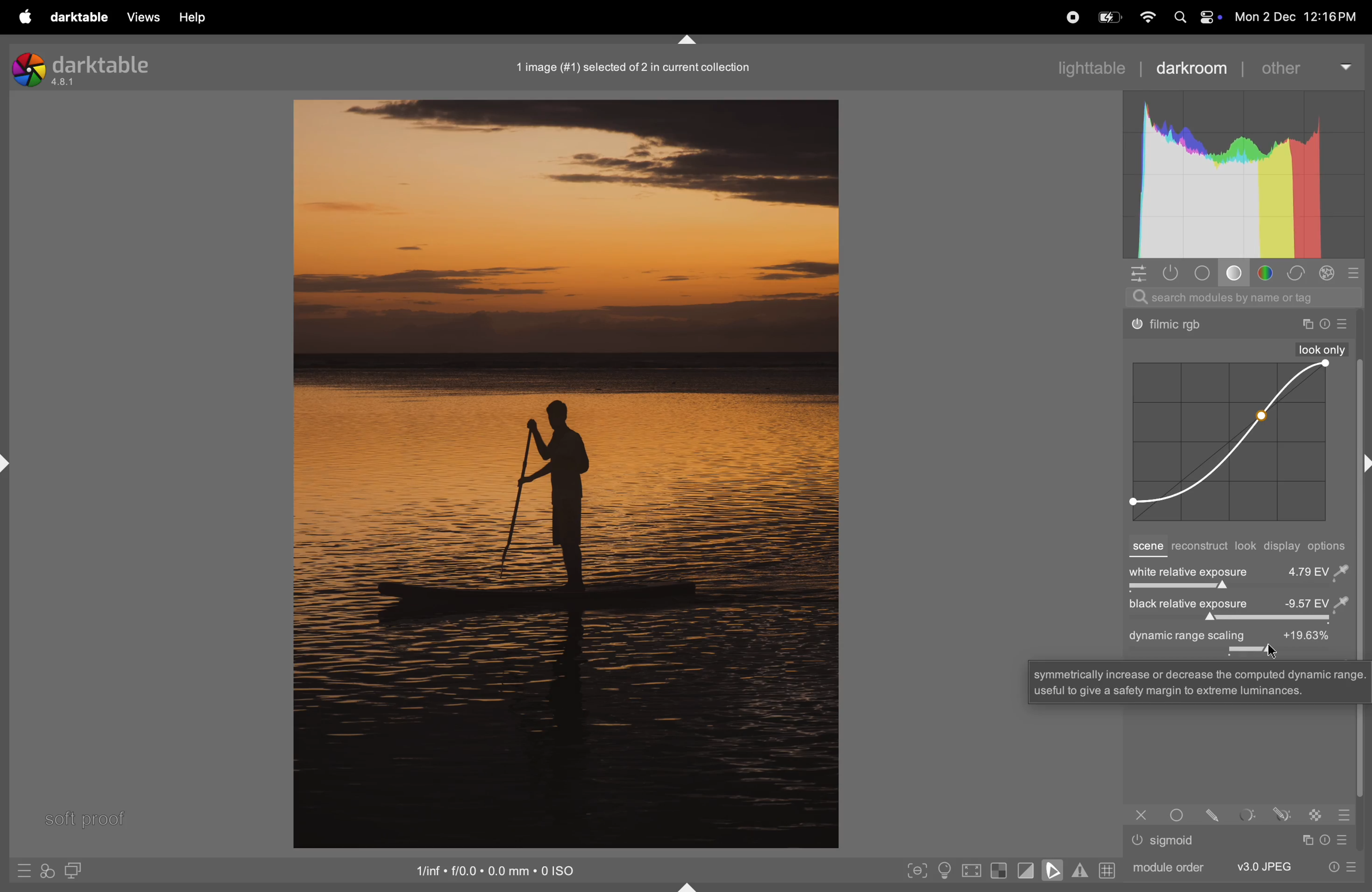 The image size is (1372, 892). What do you see at coordinates (1344, 815) in the screenshot?
I see `` at bounding box center [1344, 815].